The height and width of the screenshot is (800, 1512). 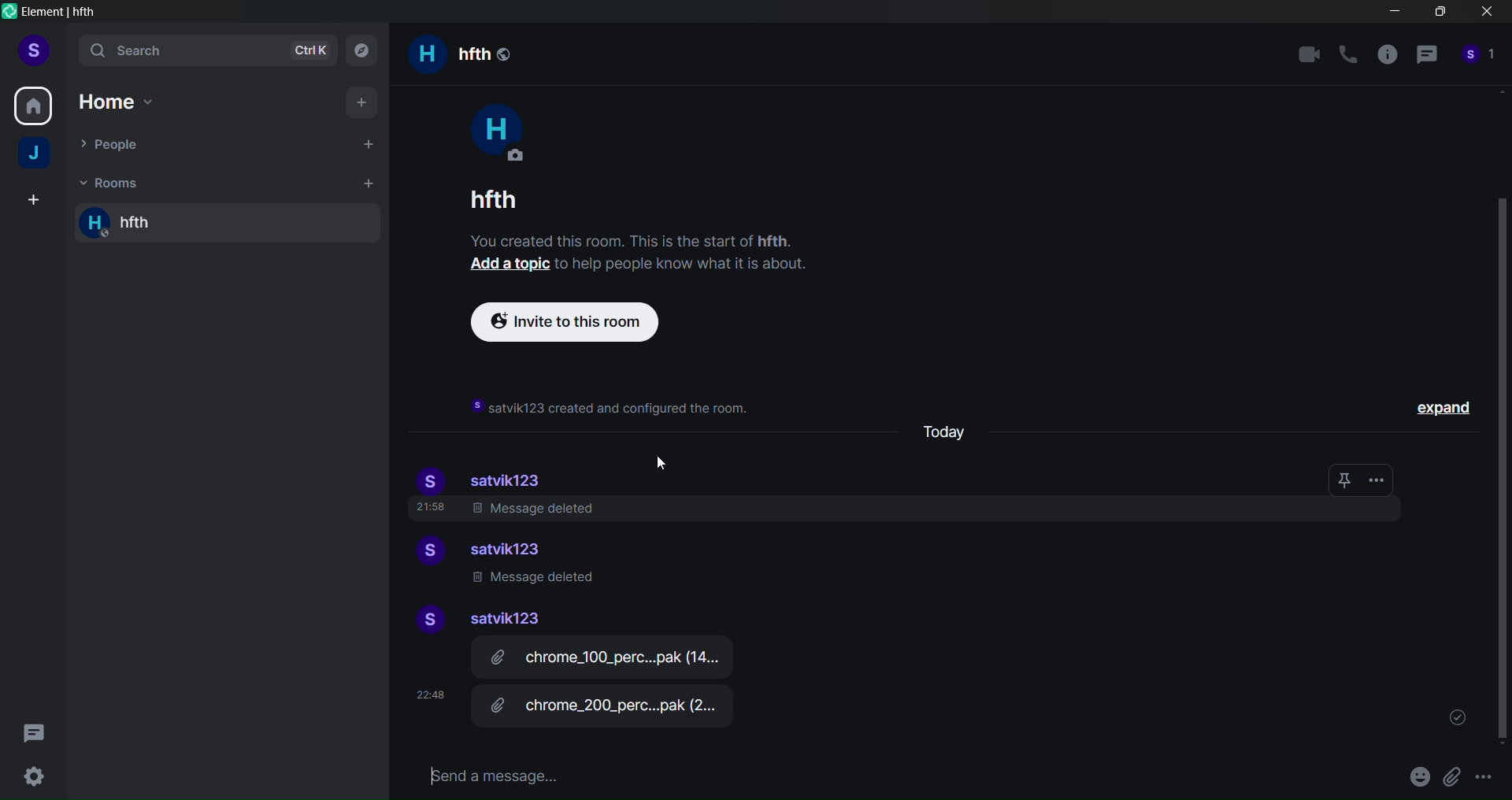 What do you see at coordinates (1426, 57) in the screenshot?
I see `thread` at bounding box center [1426, 57].